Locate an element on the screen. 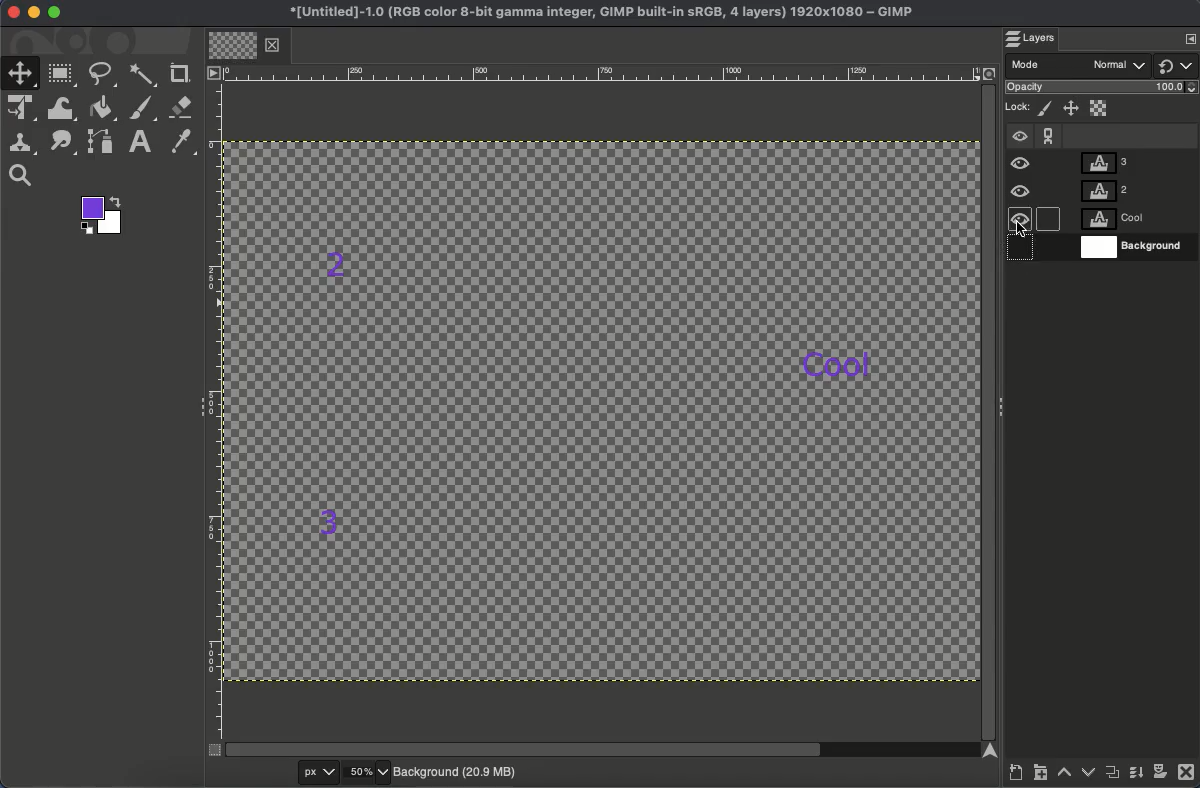 The height and width of the screenshot is (788, 1200). Create new layer group is located at coordinates (1041, 776).